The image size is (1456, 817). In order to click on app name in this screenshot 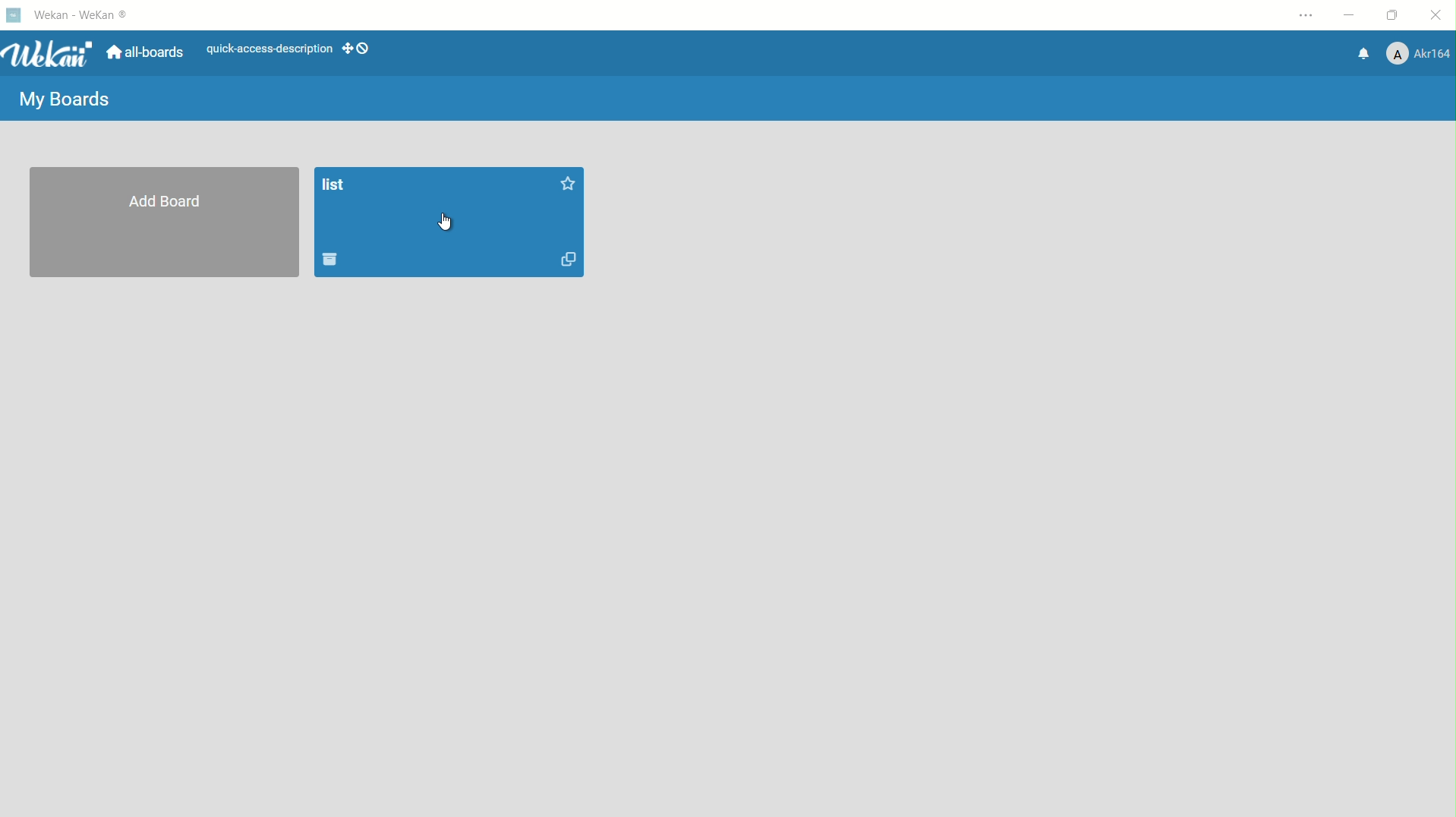, I will do `click(79, 17)`.